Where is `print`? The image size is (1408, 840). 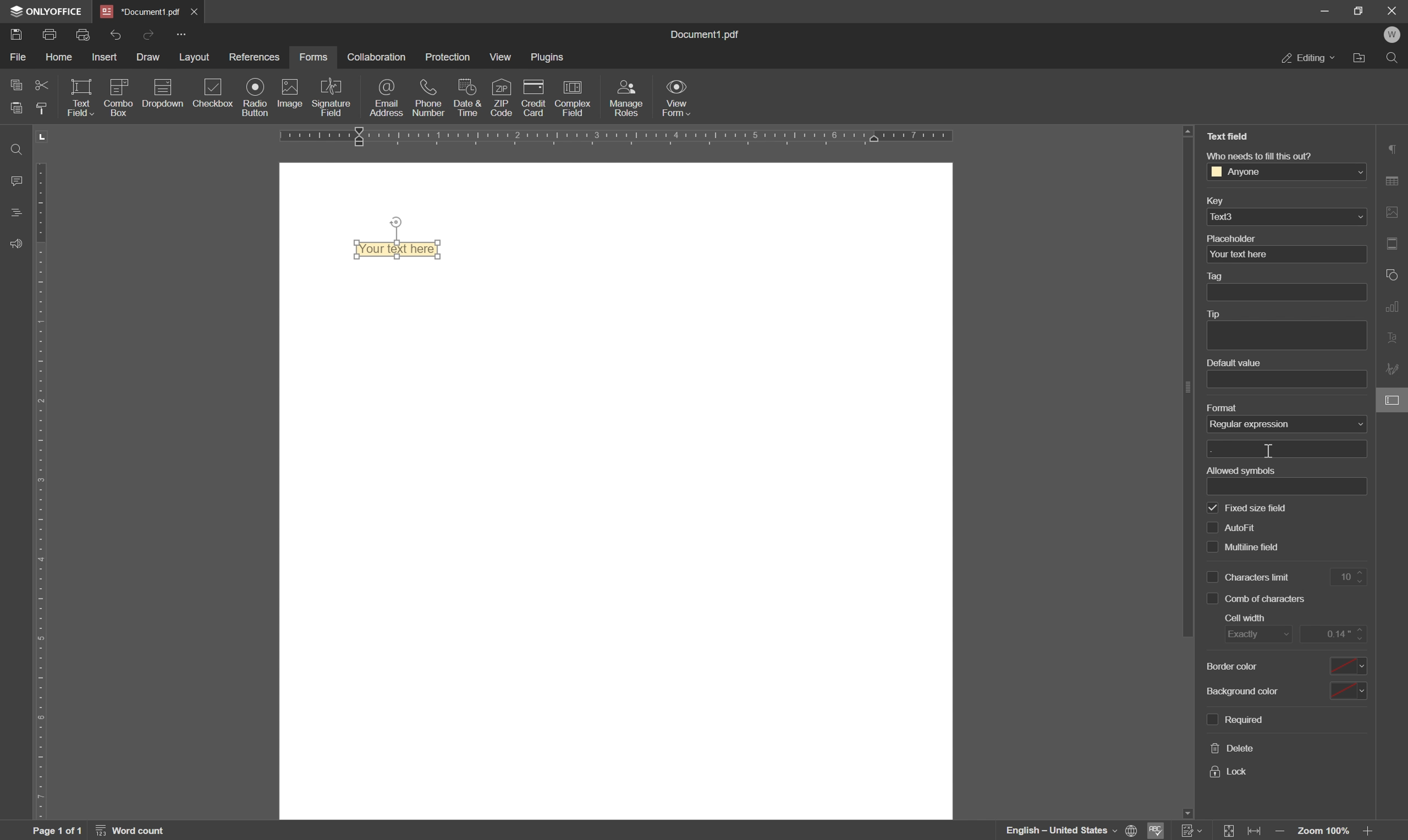 print is located at coordinates (51, 36).